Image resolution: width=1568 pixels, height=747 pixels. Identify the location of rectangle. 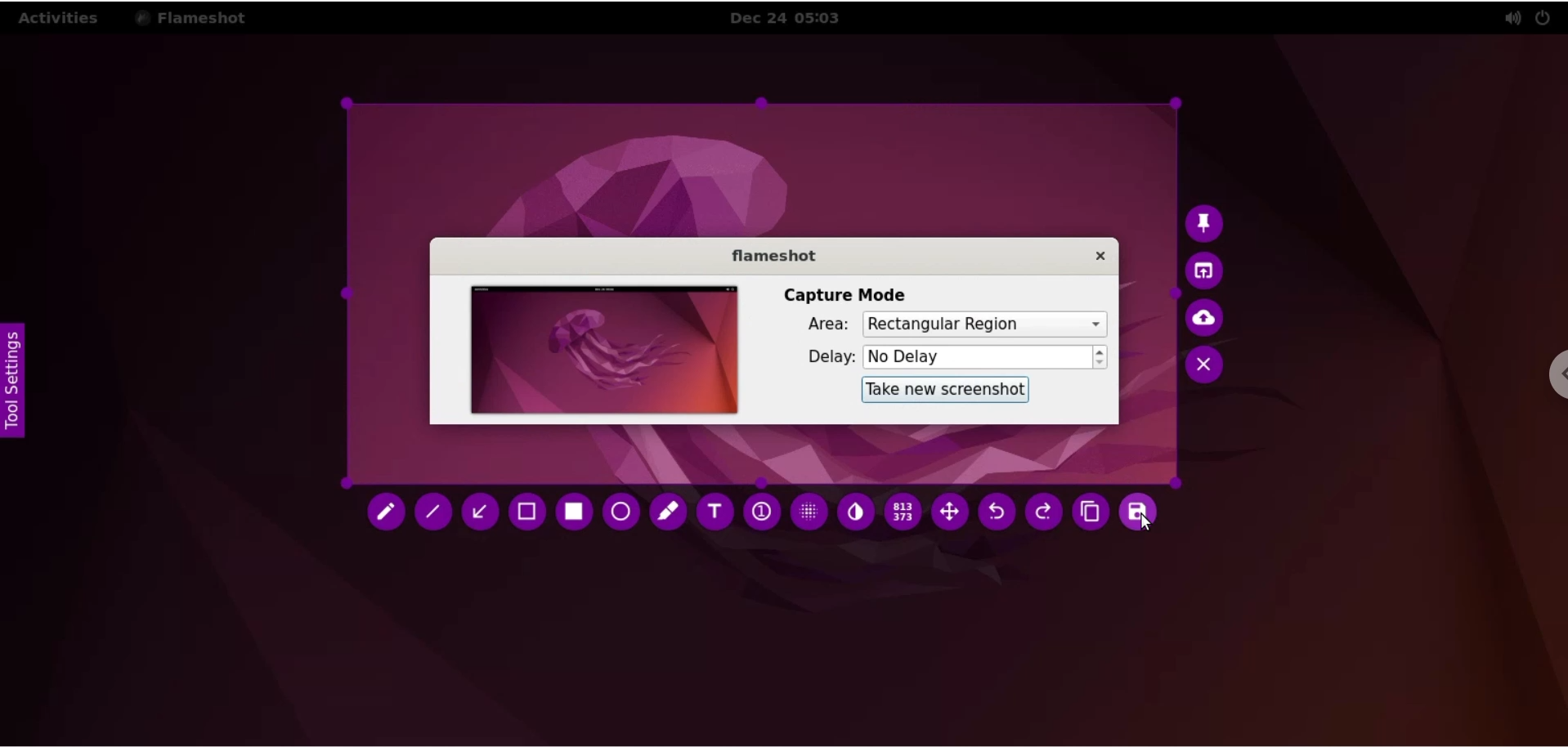
(574, 512).